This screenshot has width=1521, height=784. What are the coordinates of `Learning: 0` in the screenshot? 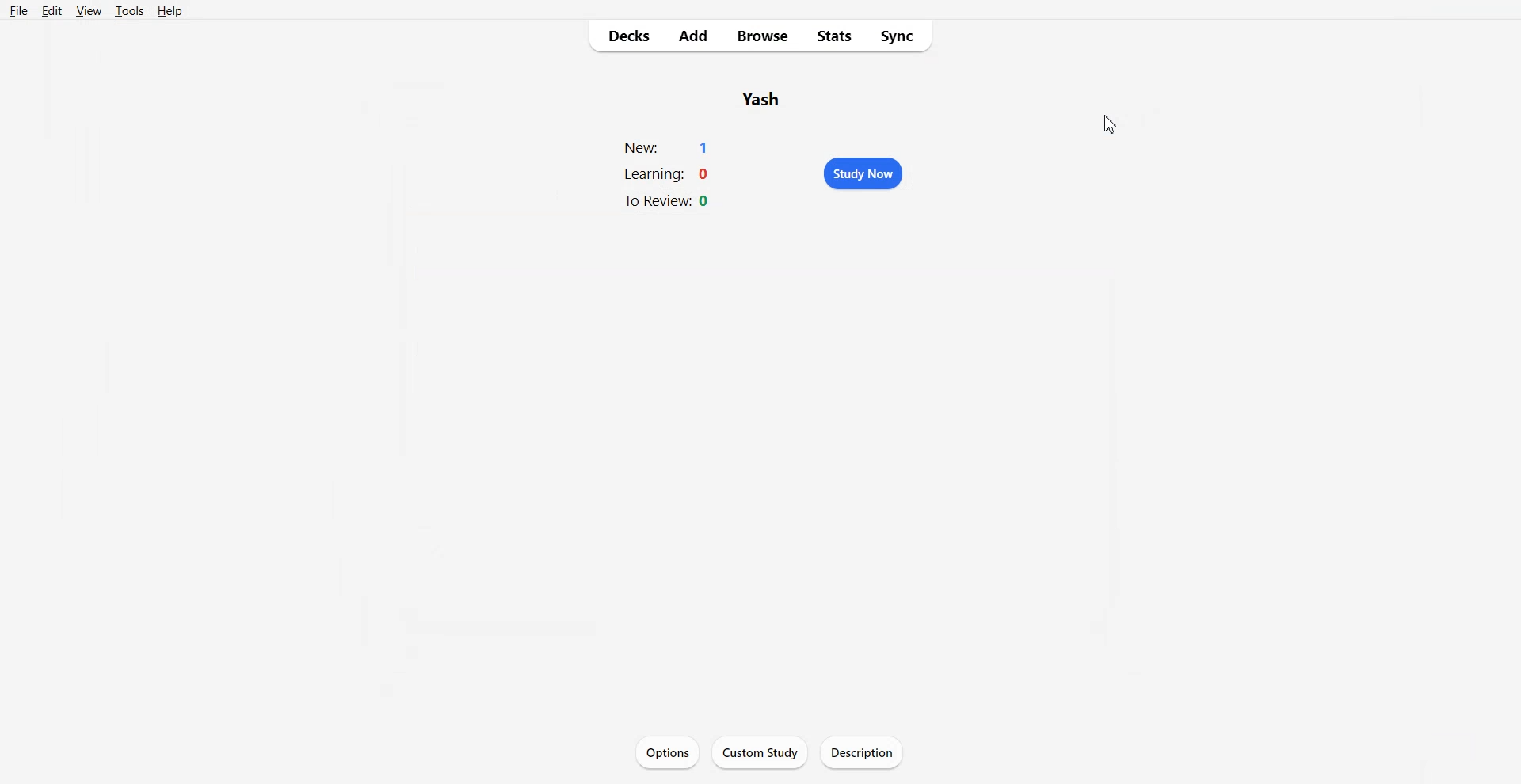 It's located at (669, 175).